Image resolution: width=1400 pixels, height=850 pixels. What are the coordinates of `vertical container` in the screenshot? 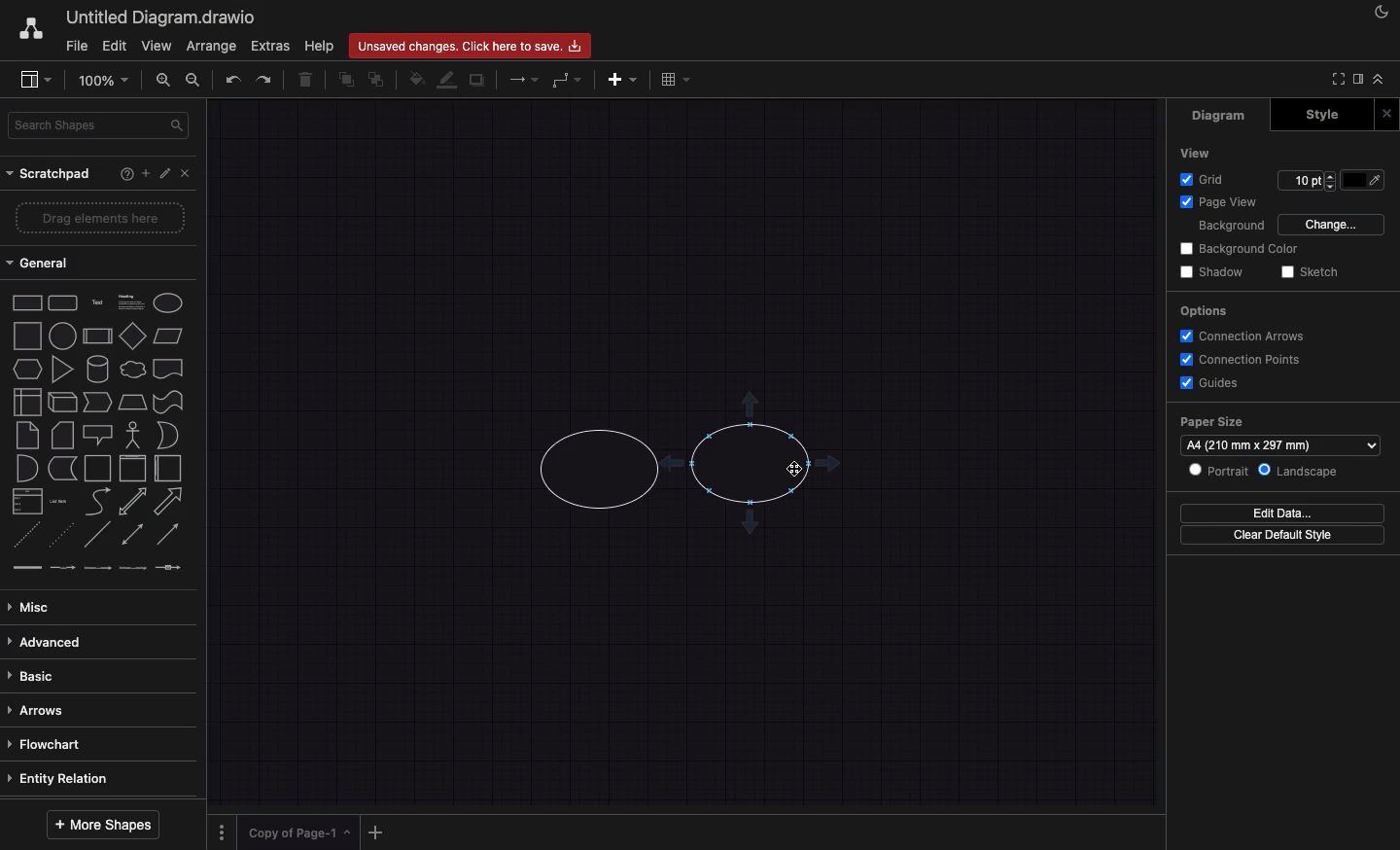 It's located at (135, 468).